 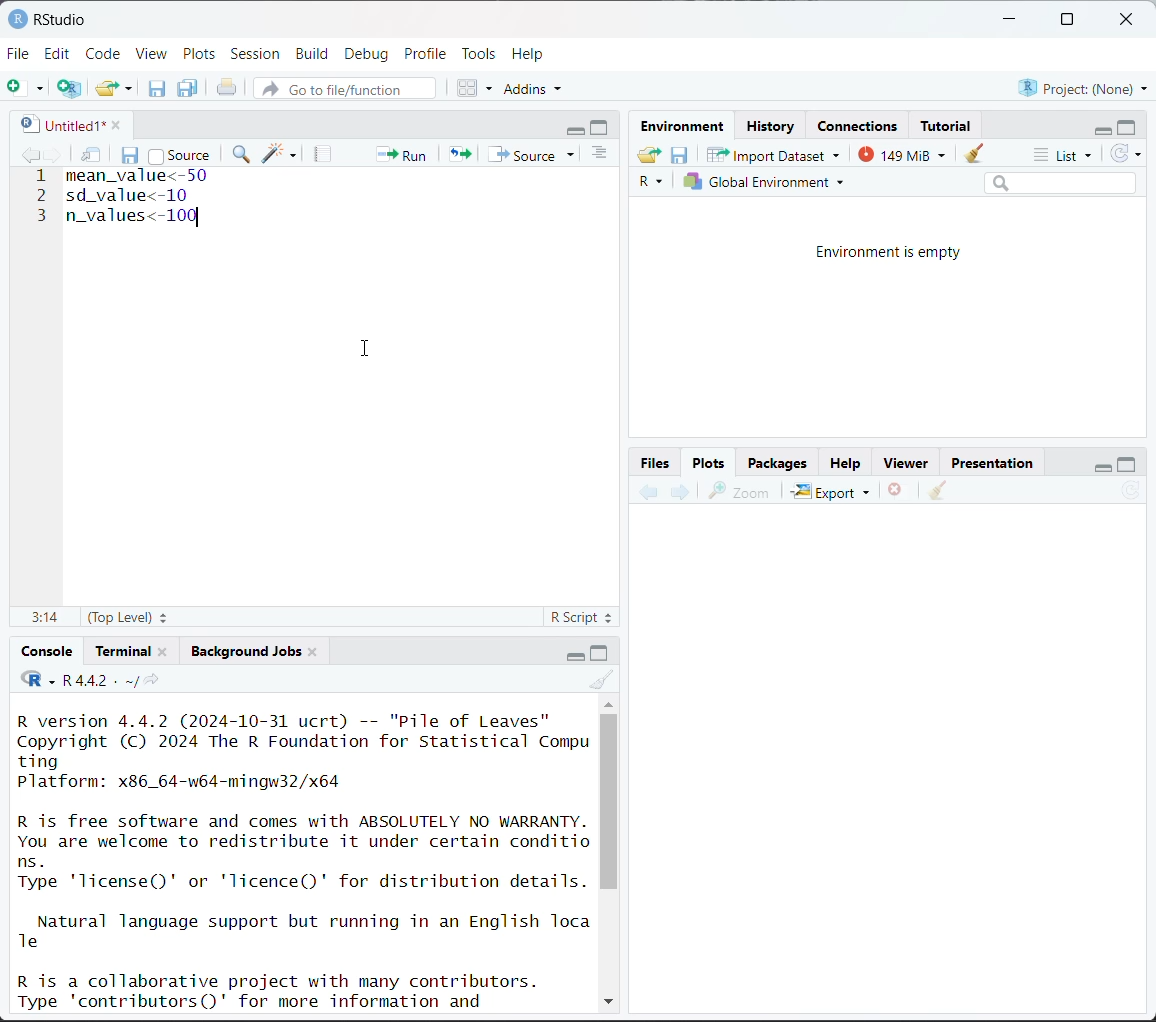 I want to click on down, so click(x=607, y=998).